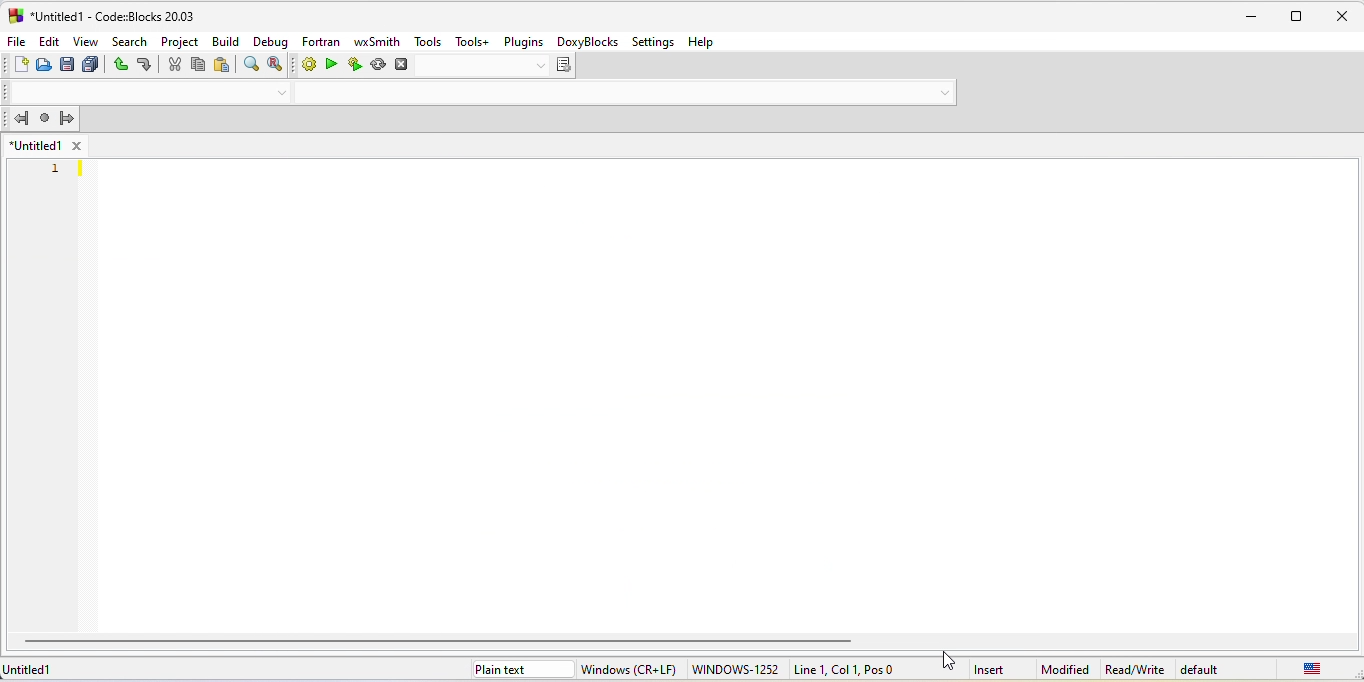 The width and height of the screenshot is (1364, 682). What do you see at coordinates (14, 41) in the screenshot?
I see `file` at bounding box center [14, 41].